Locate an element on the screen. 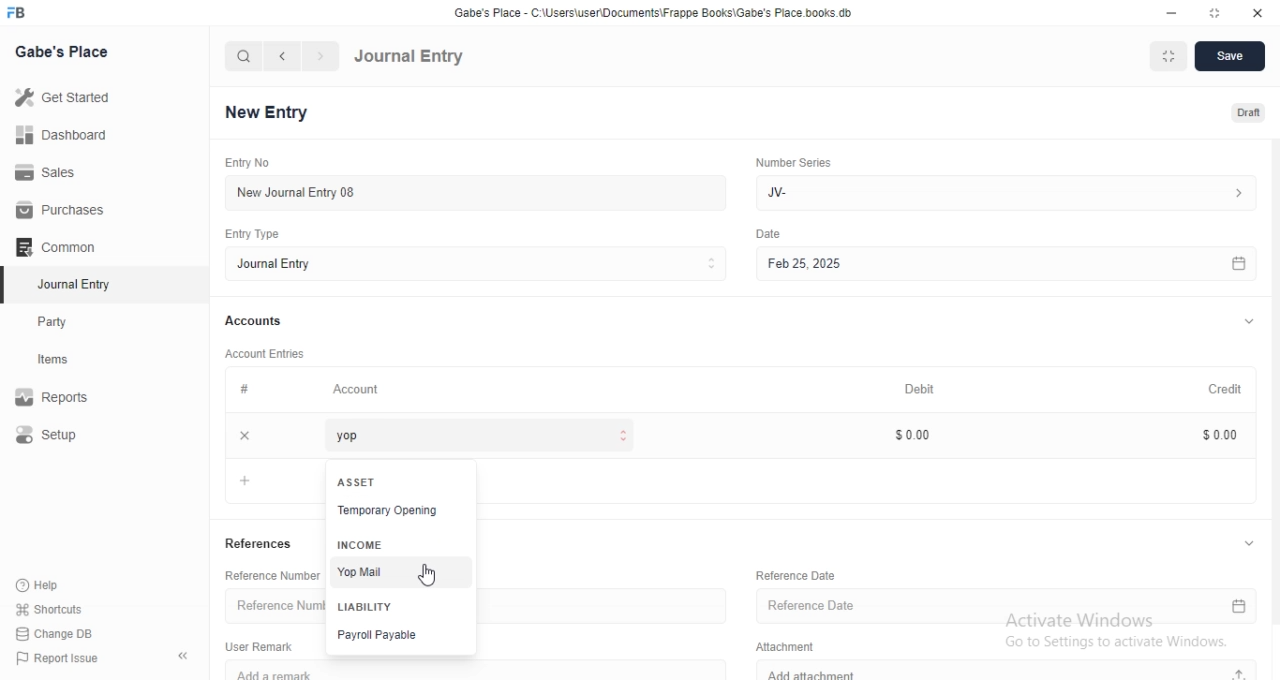 The width and height of the screenshot is (1280, 680). Attachment is located at coordinates (781, 647).